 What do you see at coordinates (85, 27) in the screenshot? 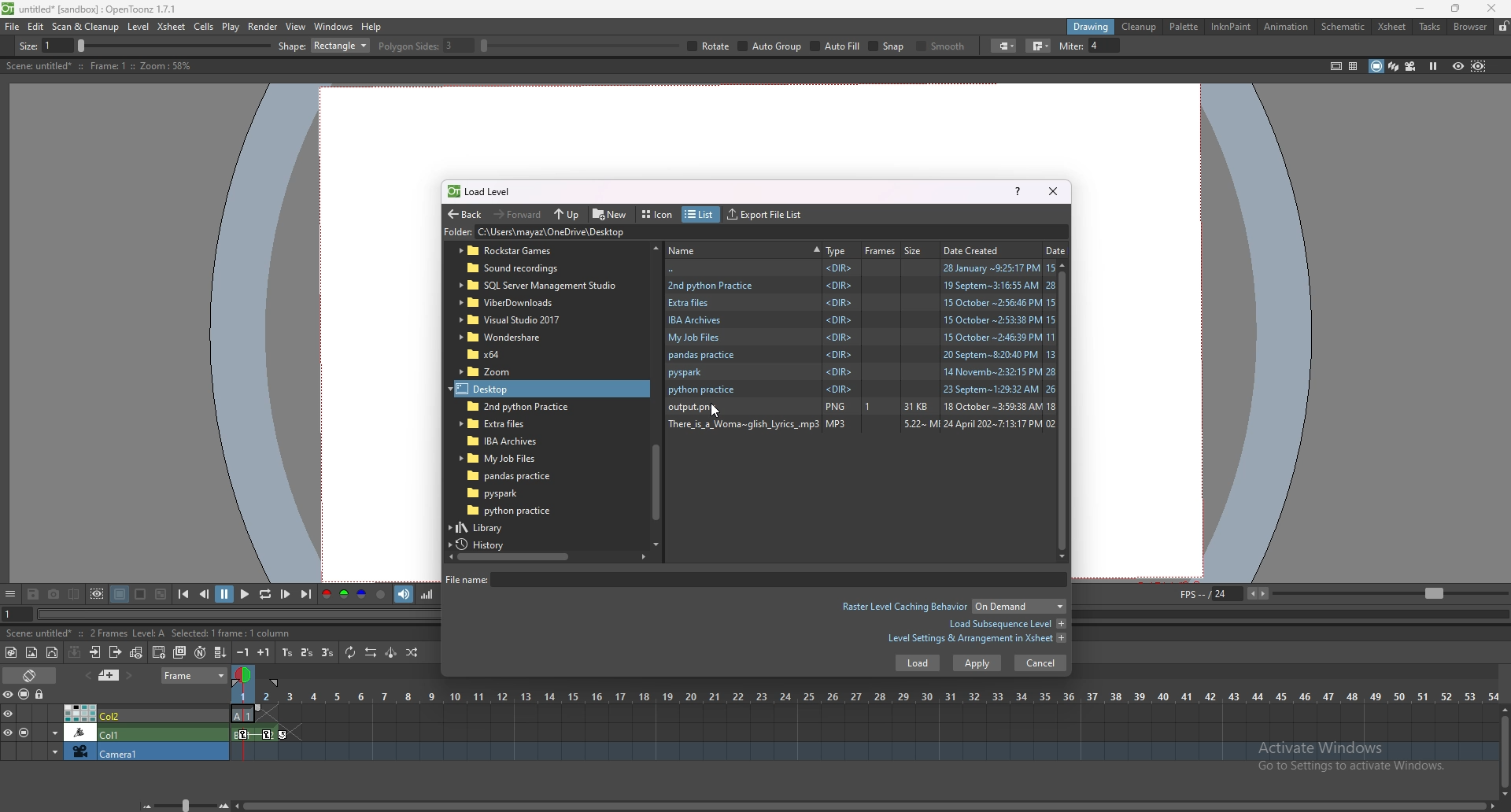
I see `scan and cleanup` at bounding box center [85, 27].